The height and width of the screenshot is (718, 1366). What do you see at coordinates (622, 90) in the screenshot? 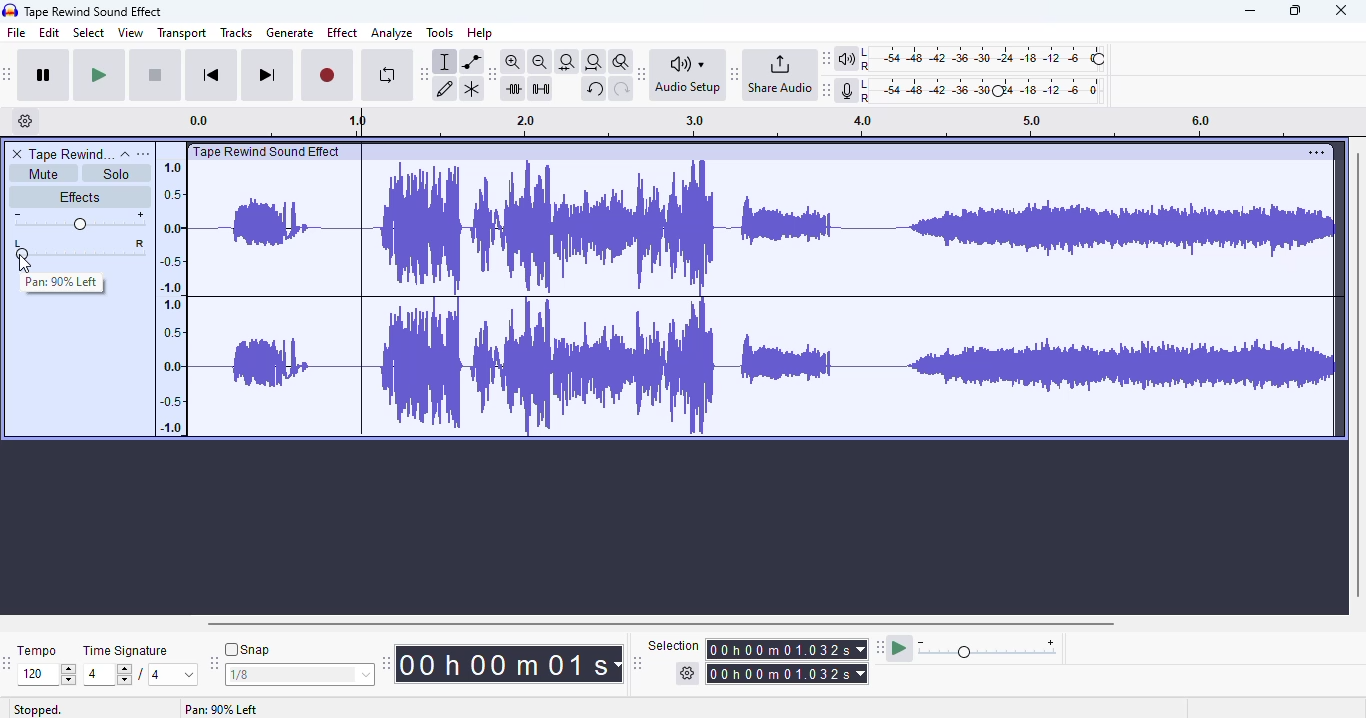
I see `redo` at bounding box center [622, 90].